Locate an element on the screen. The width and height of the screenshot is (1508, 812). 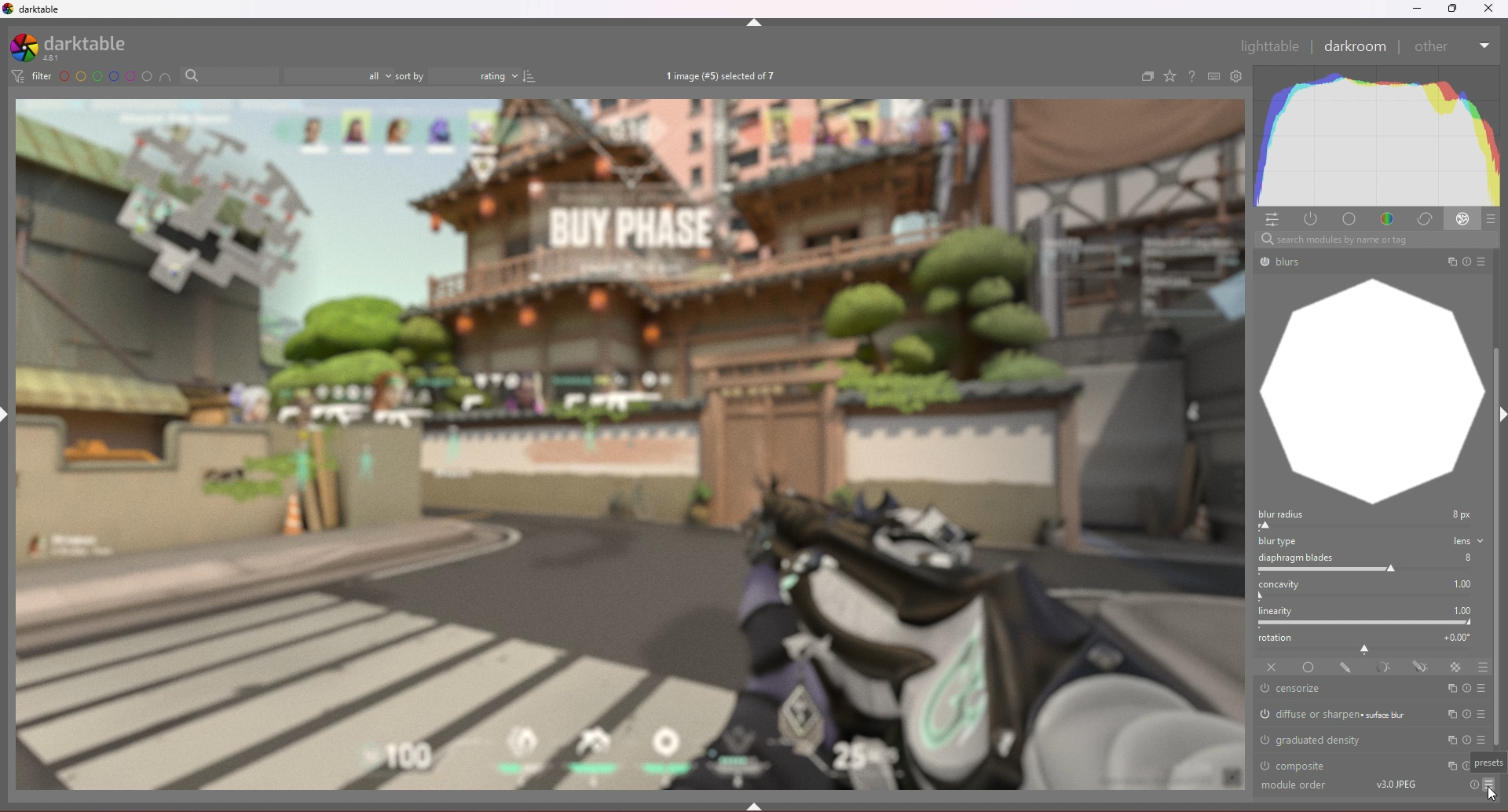
multi instances actions is located at coordinates (1448, 766).